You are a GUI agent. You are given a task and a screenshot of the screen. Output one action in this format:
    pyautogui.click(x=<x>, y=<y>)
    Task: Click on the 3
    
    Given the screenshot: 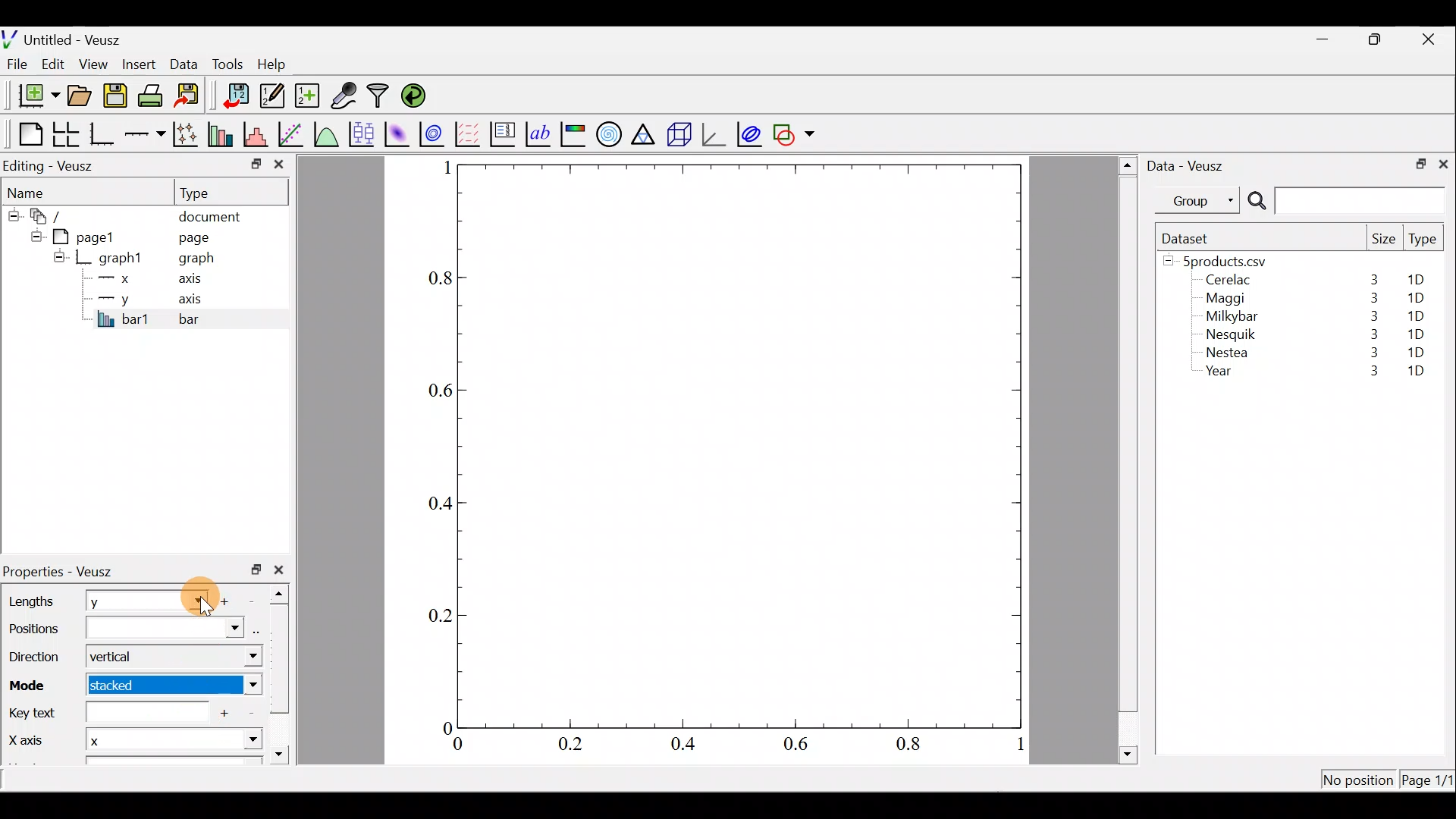 What is the action you would take?
    pyautogui.click(x=1373, y=279)
    